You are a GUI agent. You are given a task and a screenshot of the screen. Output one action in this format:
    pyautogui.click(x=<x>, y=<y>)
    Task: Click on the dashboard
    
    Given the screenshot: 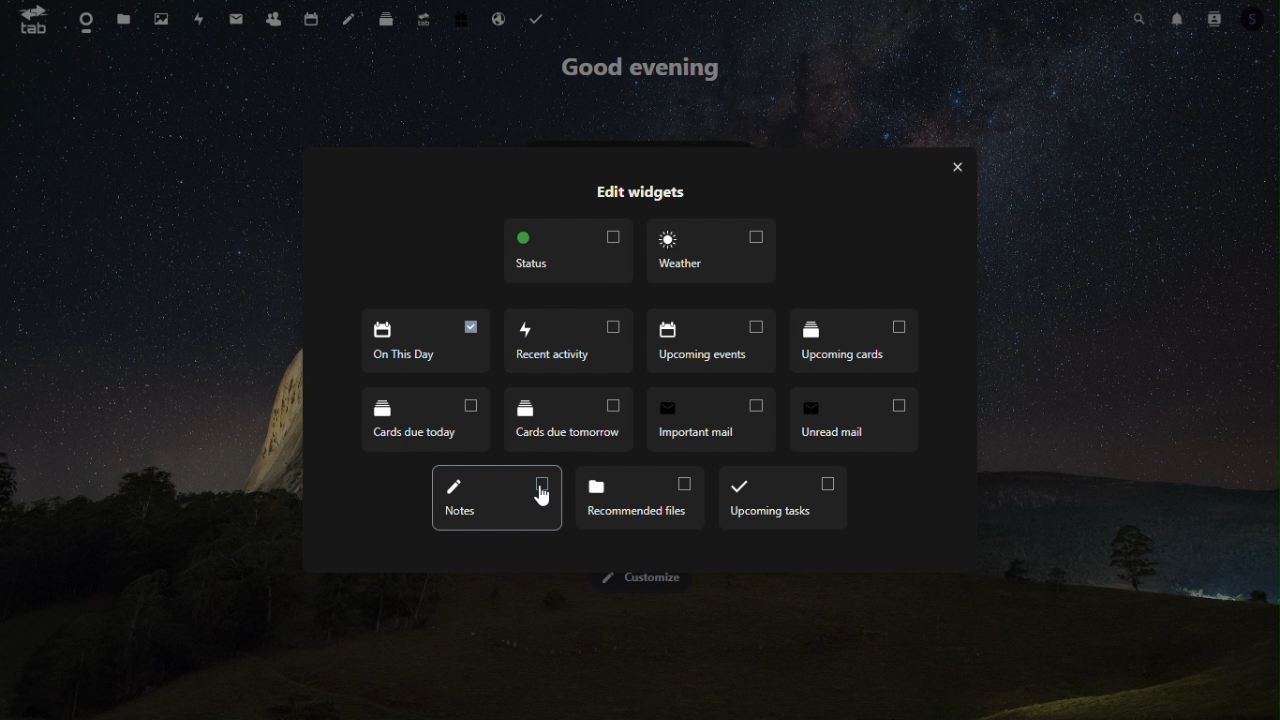 What is the action you would take?
    pyautogui.click(x=86, y=18)
    